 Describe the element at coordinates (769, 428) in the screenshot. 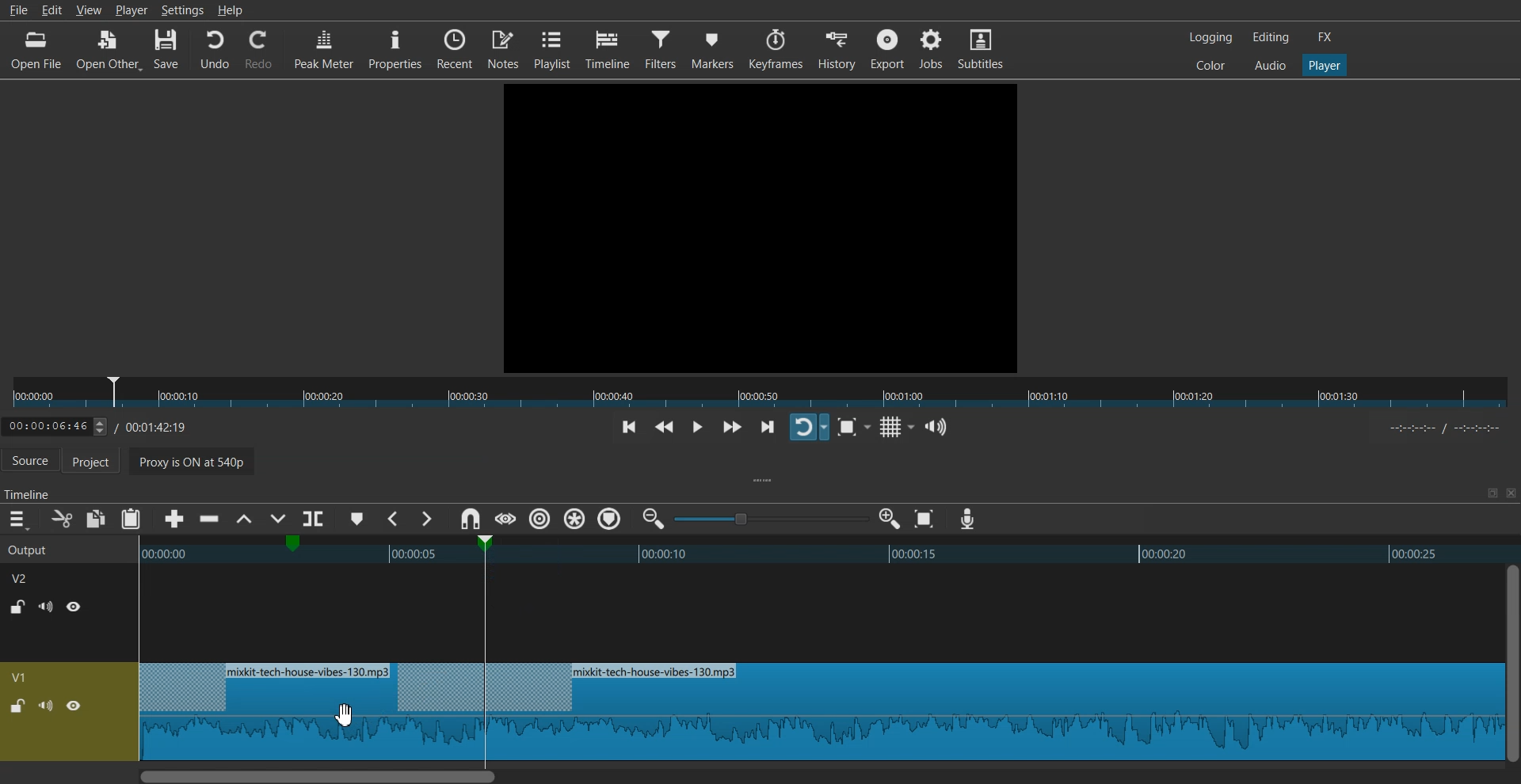

I see `Skip to next point` at that location.